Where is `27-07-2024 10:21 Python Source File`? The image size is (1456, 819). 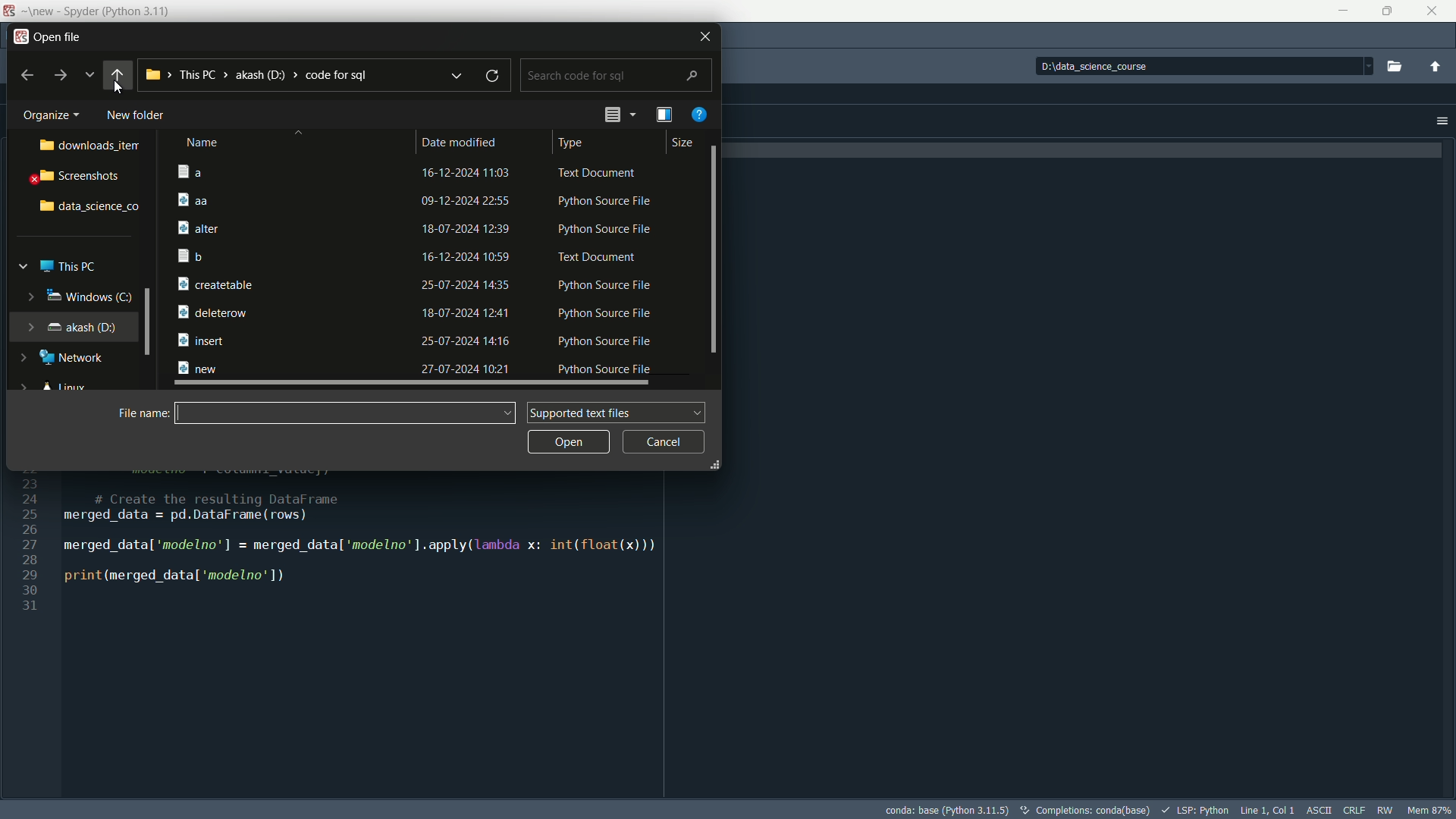
27-07-2024 10:21 Python Source File is located at coordinates (545, 366).